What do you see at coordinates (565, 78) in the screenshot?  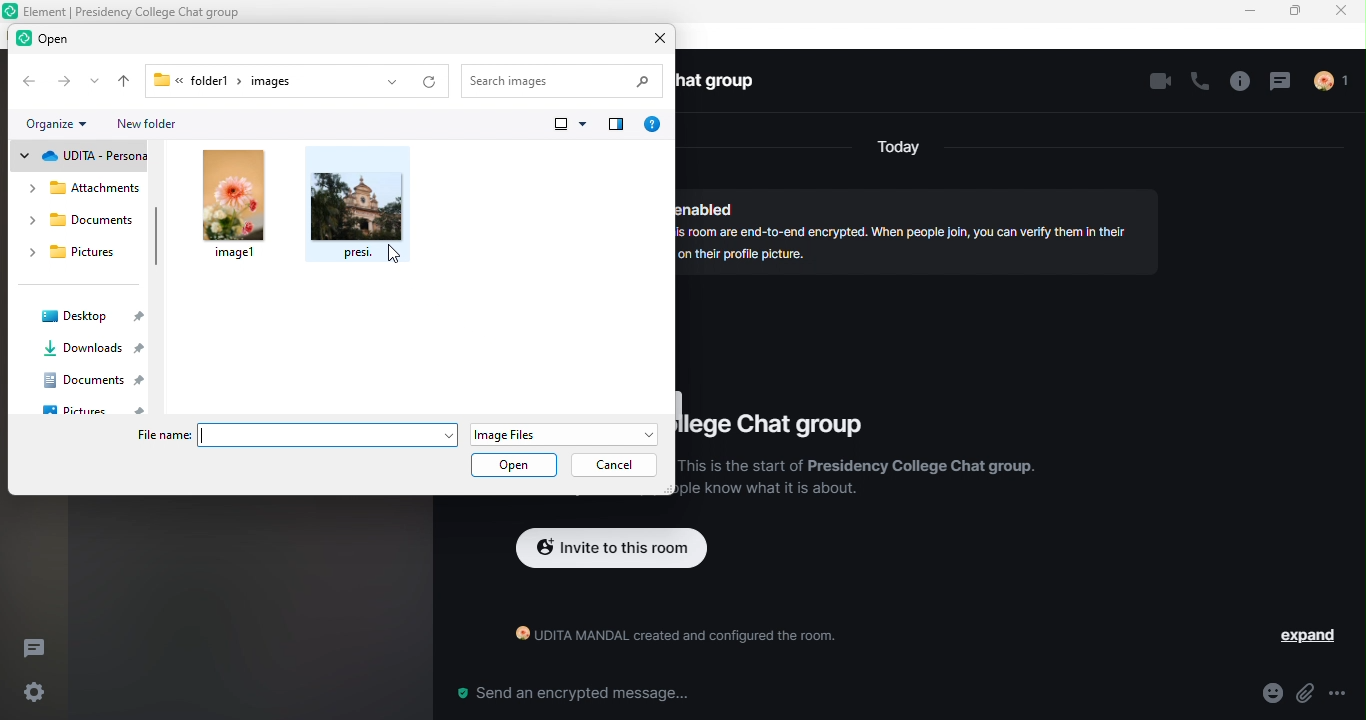 I see `search` at bounding box center [565, 78].